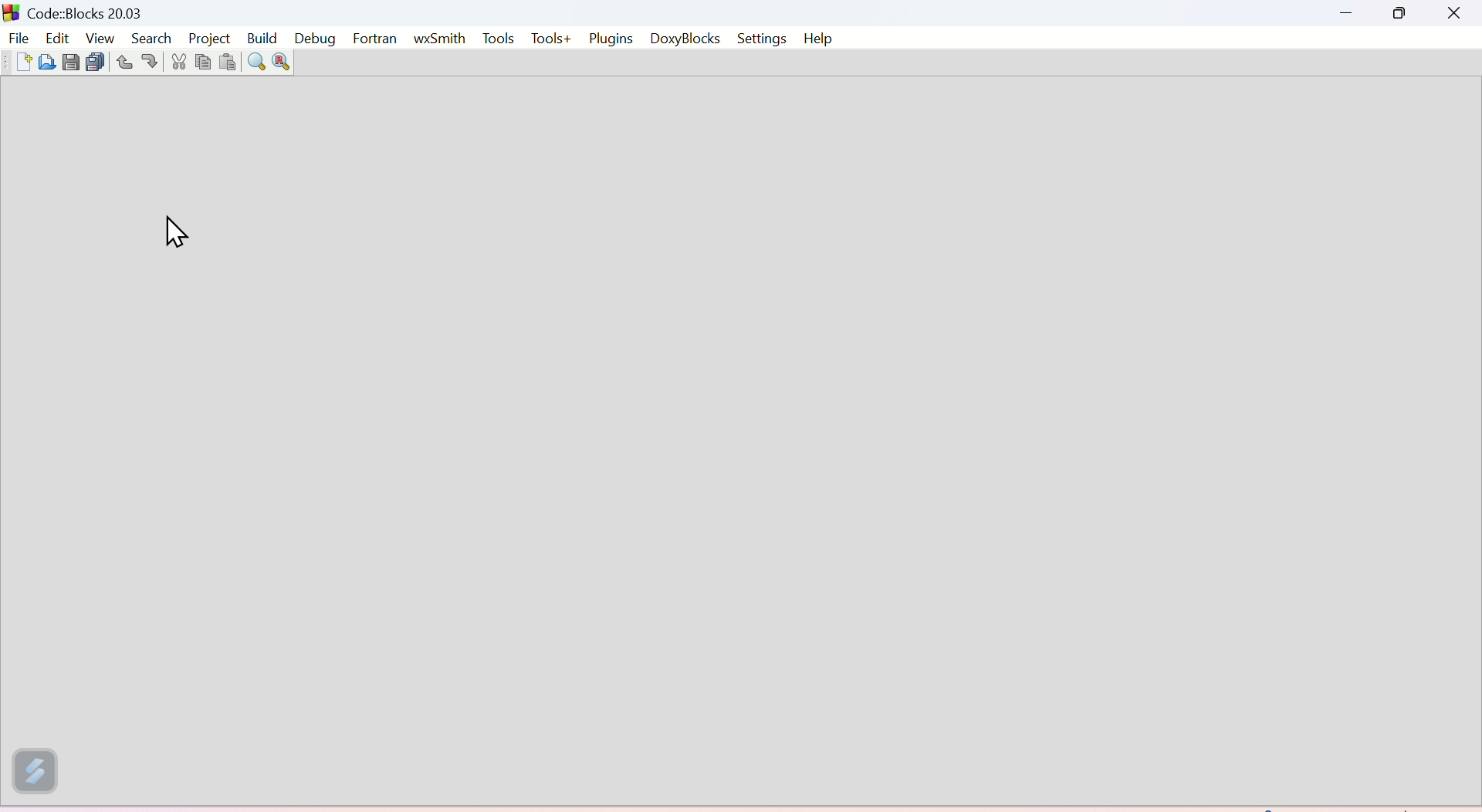 This screenshot has height=812, width=1482. I want to click on , so click(57, 37).